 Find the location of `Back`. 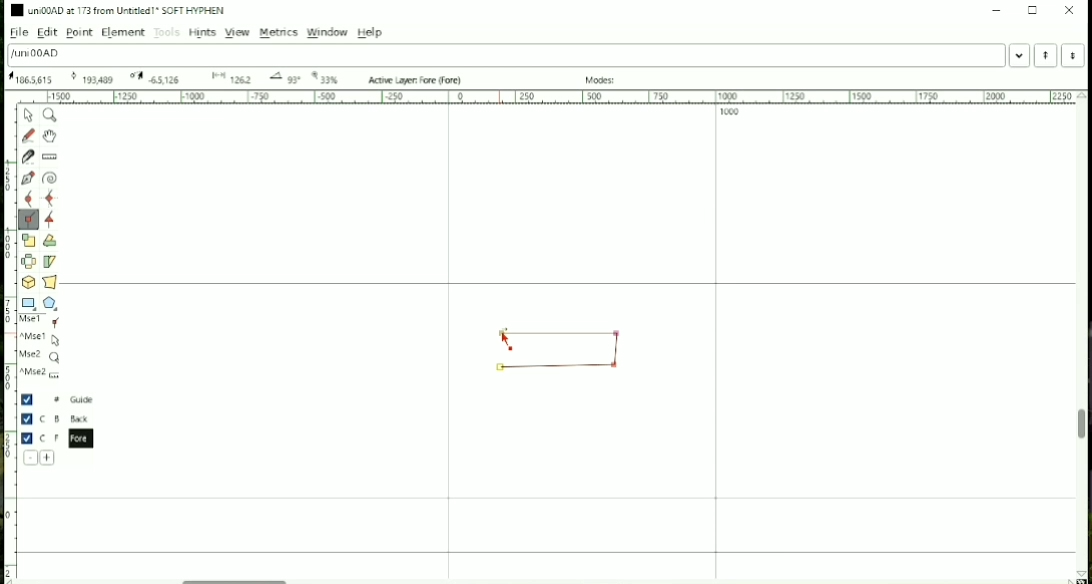

Back is located at coordinates (58, 418).